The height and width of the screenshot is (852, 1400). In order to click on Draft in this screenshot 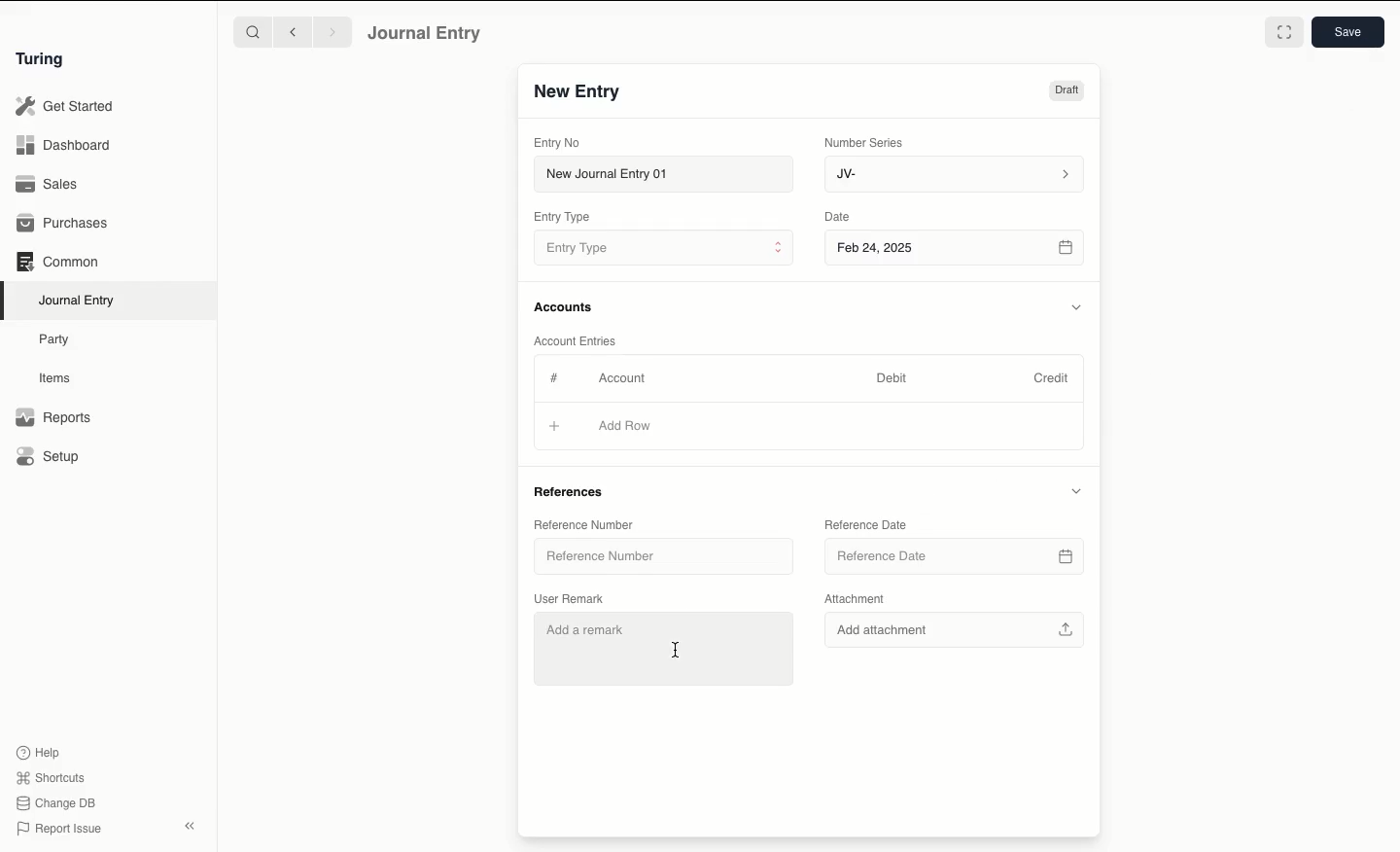, I will do `click(1067, 90)`.